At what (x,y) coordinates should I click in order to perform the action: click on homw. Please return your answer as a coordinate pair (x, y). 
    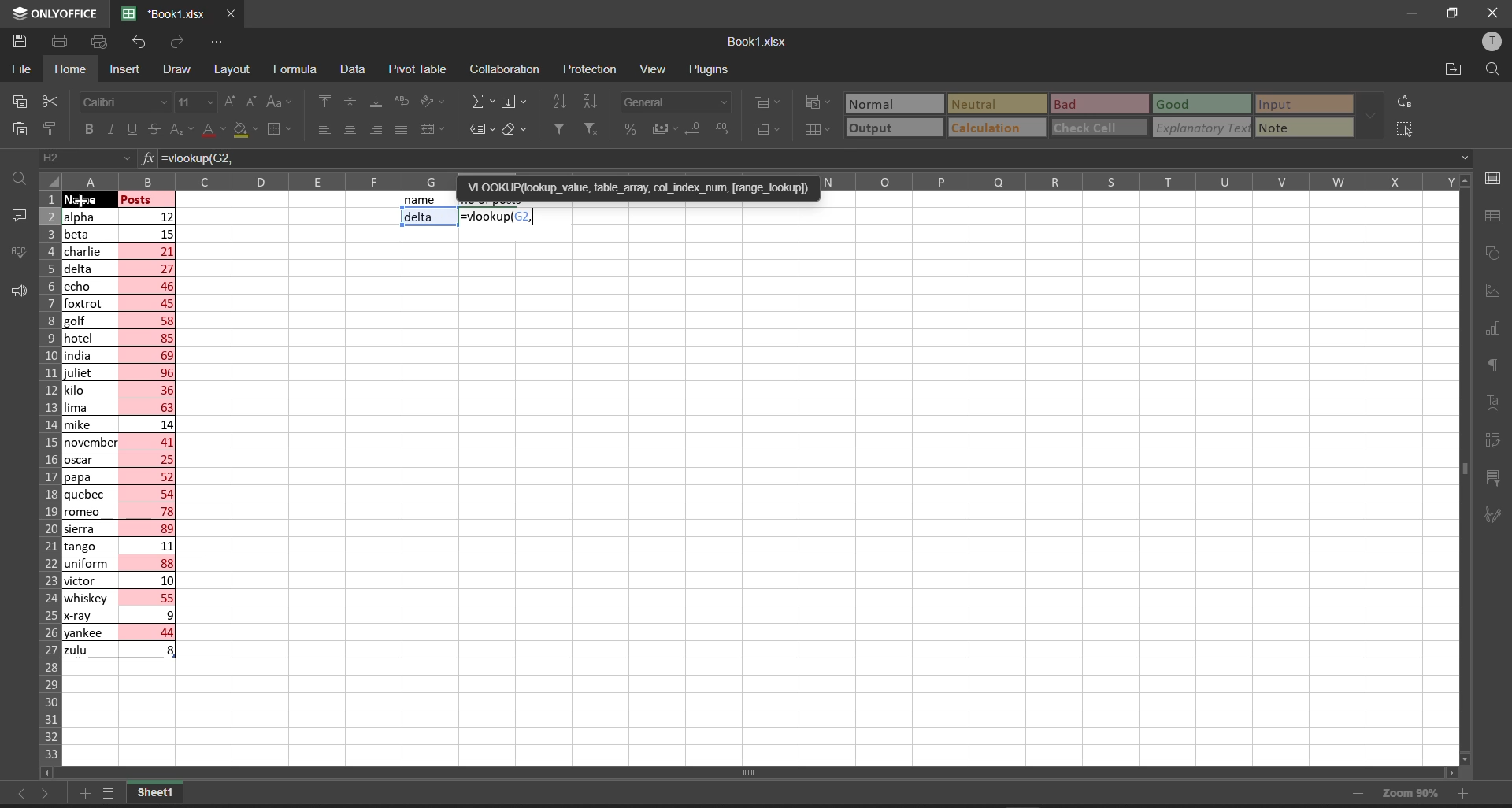
    Looking at the image, I should click on (69, 69).